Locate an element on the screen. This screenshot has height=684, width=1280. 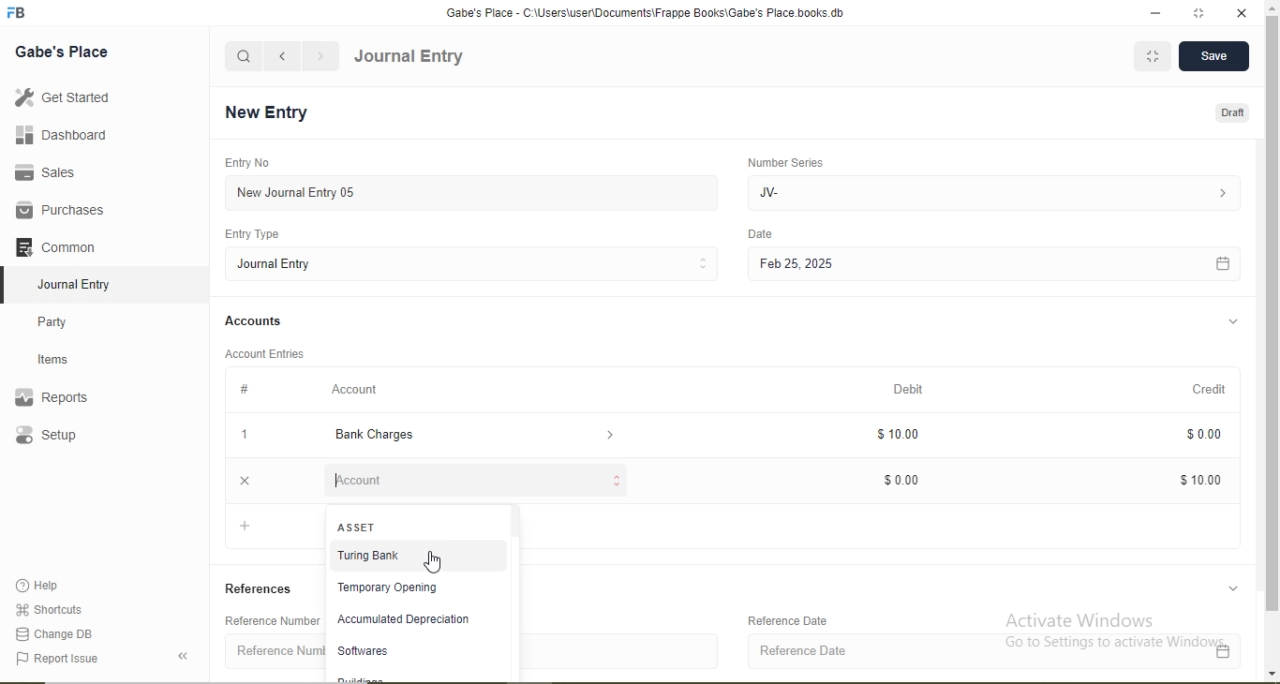
Items is located at coordinates (65, 359).